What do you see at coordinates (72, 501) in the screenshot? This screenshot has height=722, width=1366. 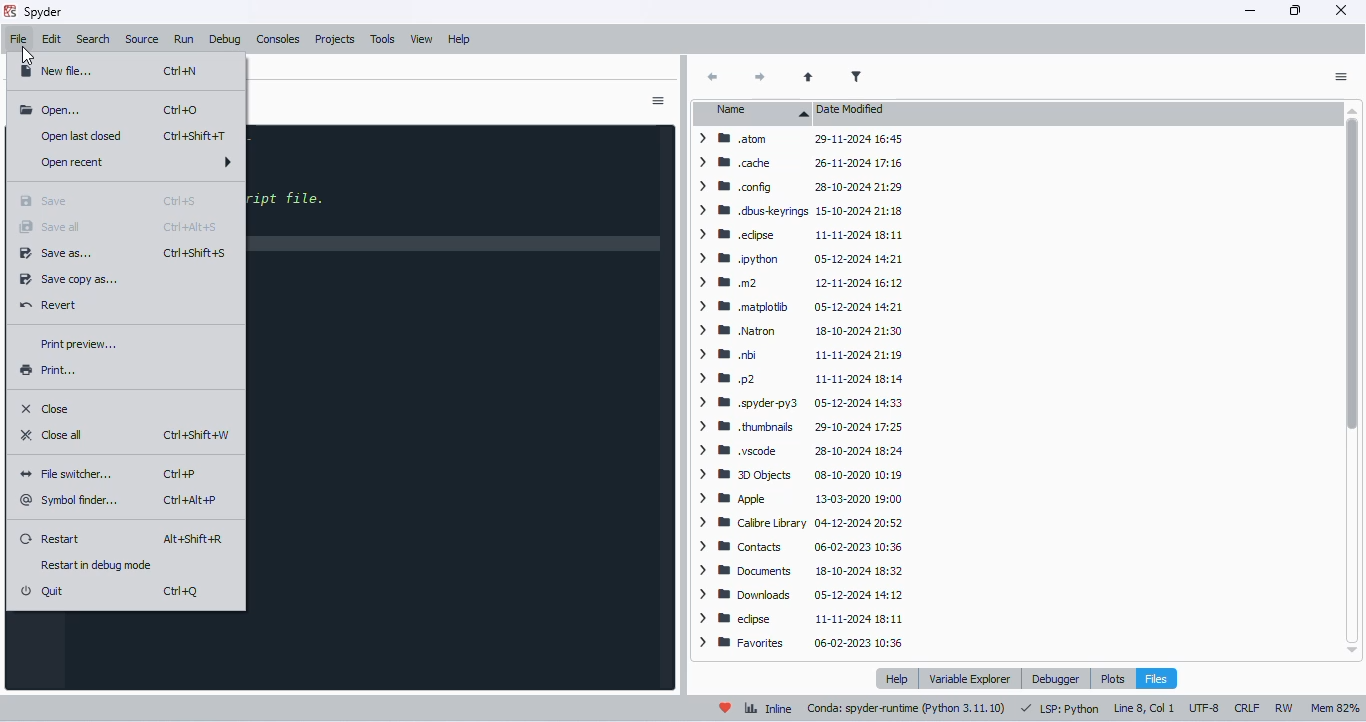 I see `symbol finder` at bounding box center [72, 501].